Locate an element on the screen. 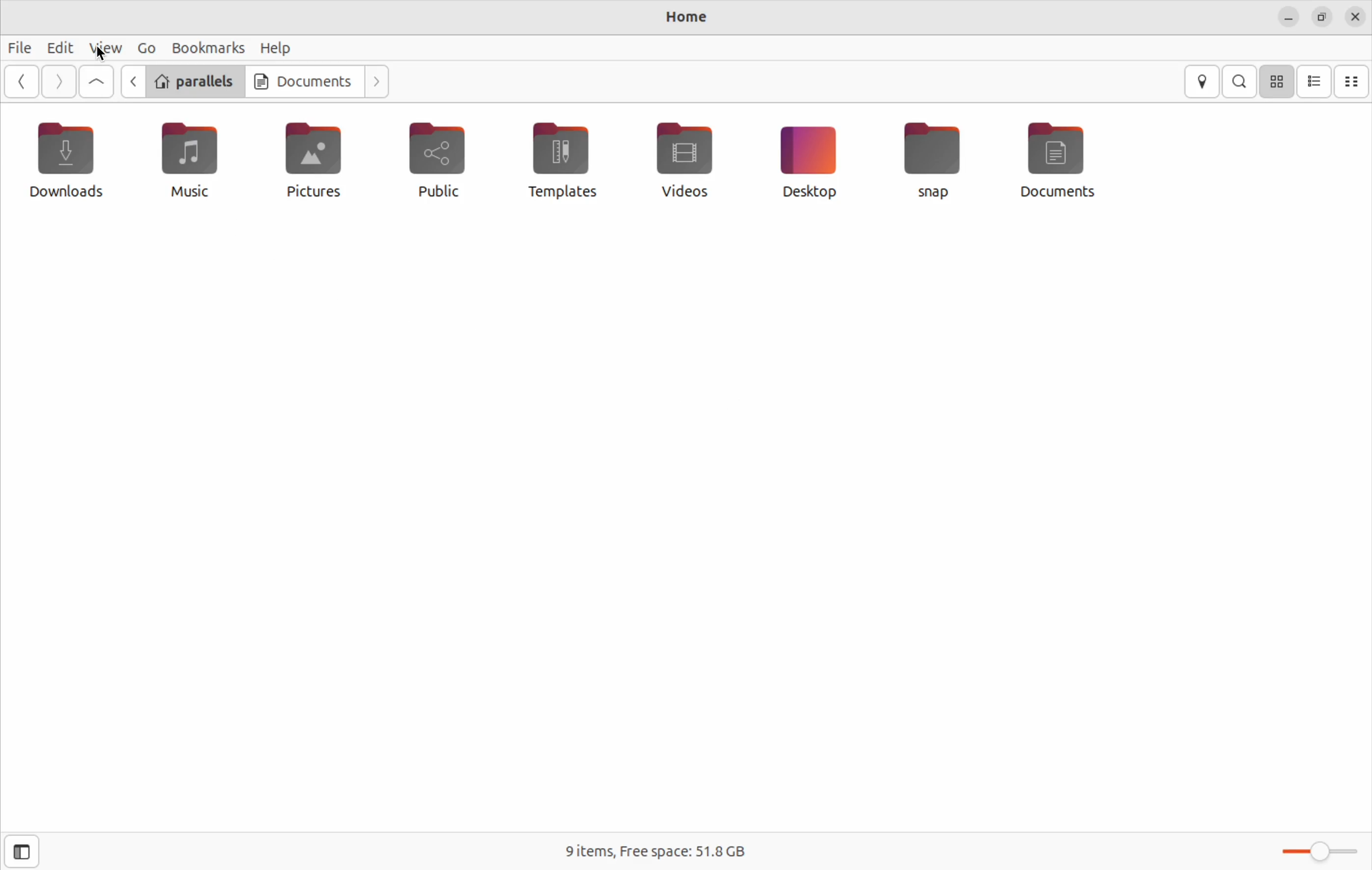 The width and height of the screenshot is (1372, 870). icon view is located at coordinates (1278, 81).